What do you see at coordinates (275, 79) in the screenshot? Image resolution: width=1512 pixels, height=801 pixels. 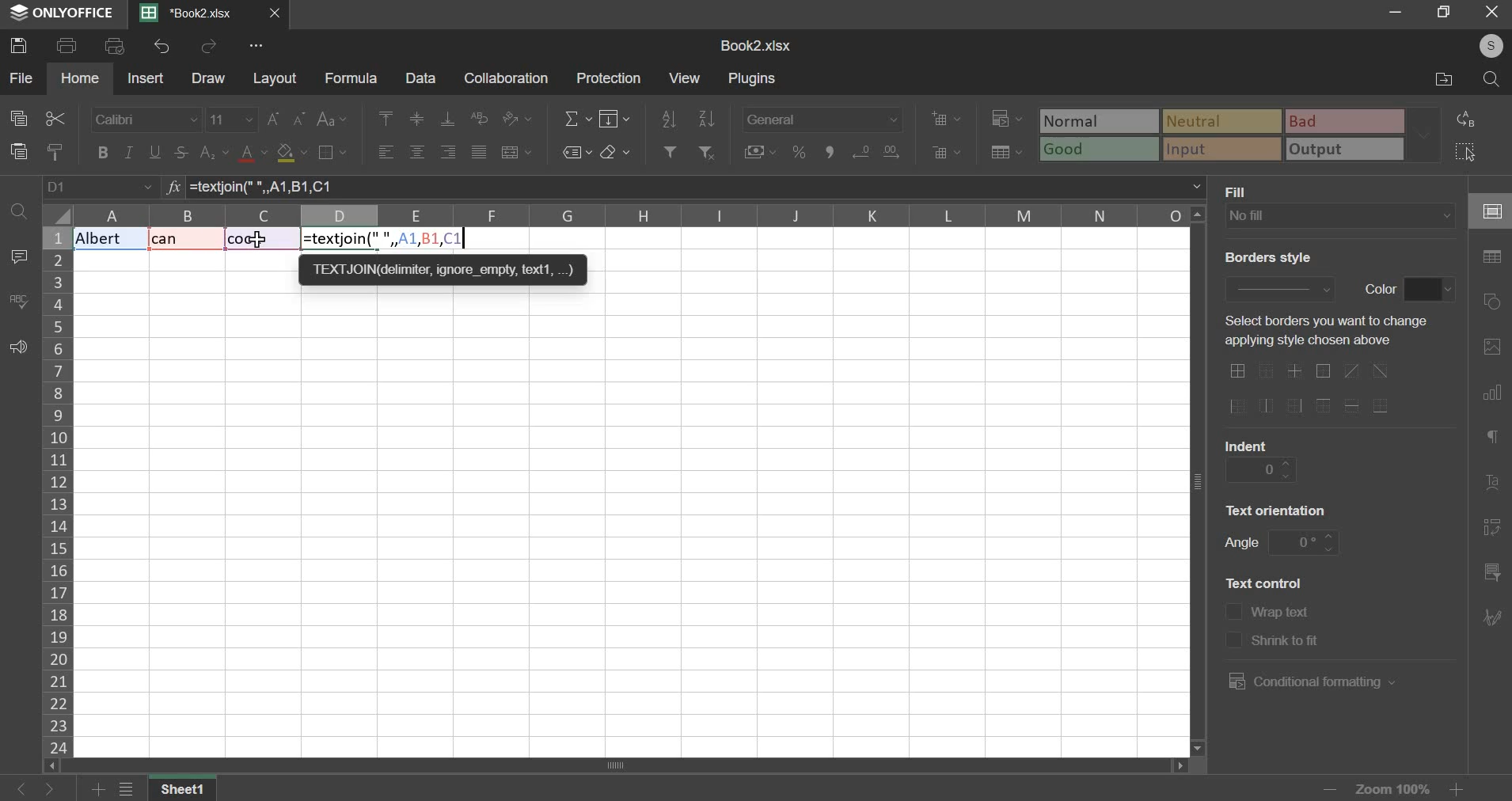 I see `layout` at bounding box center [275, 79].